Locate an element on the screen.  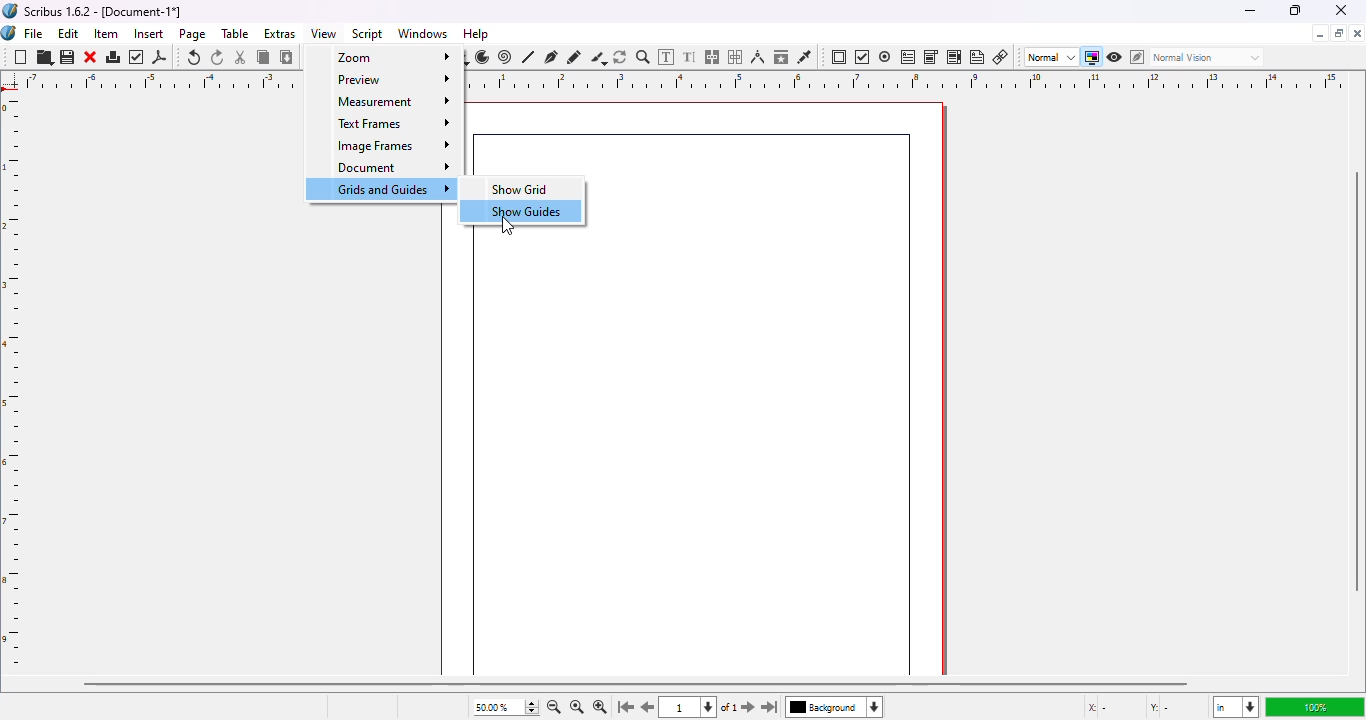
go to the previous pagr is located at coordinates (649, 708).